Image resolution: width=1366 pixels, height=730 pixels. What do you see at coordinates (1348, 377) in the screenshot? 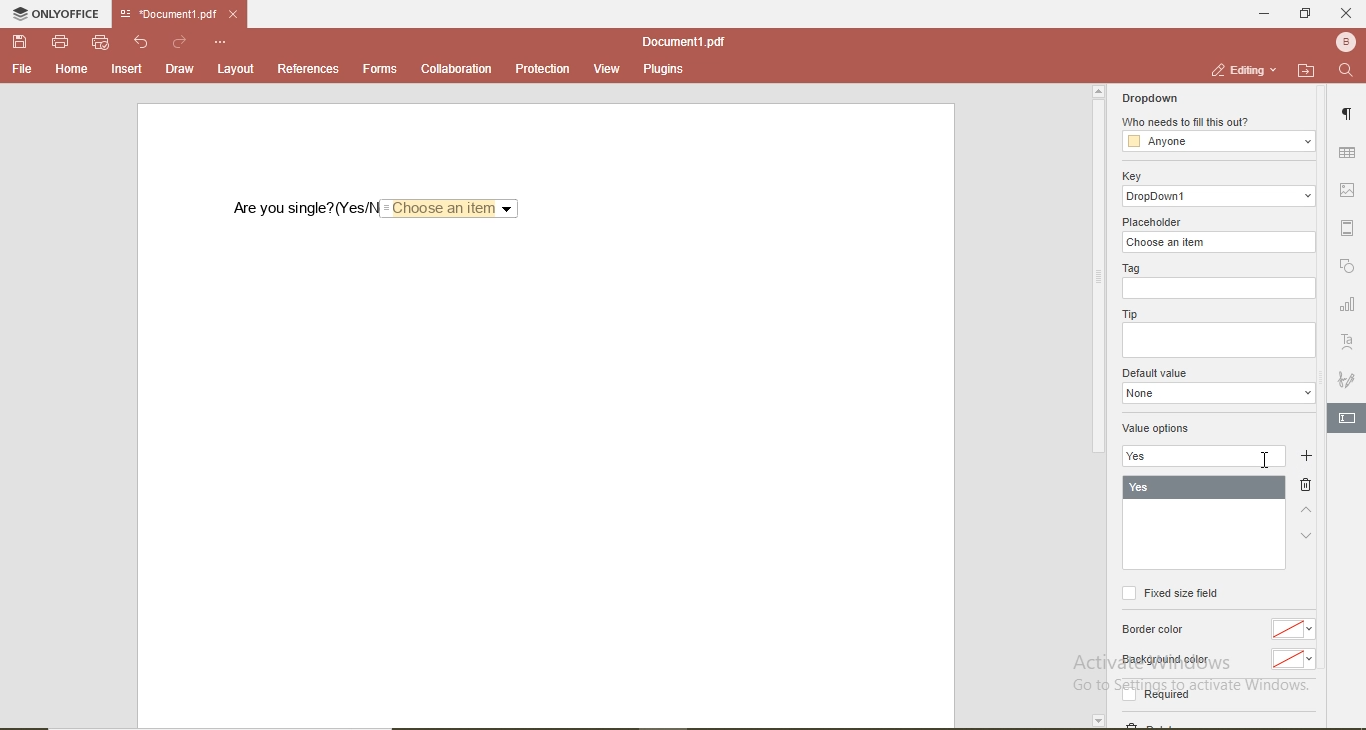
I see `signature` at bounding box center [1348, 377].